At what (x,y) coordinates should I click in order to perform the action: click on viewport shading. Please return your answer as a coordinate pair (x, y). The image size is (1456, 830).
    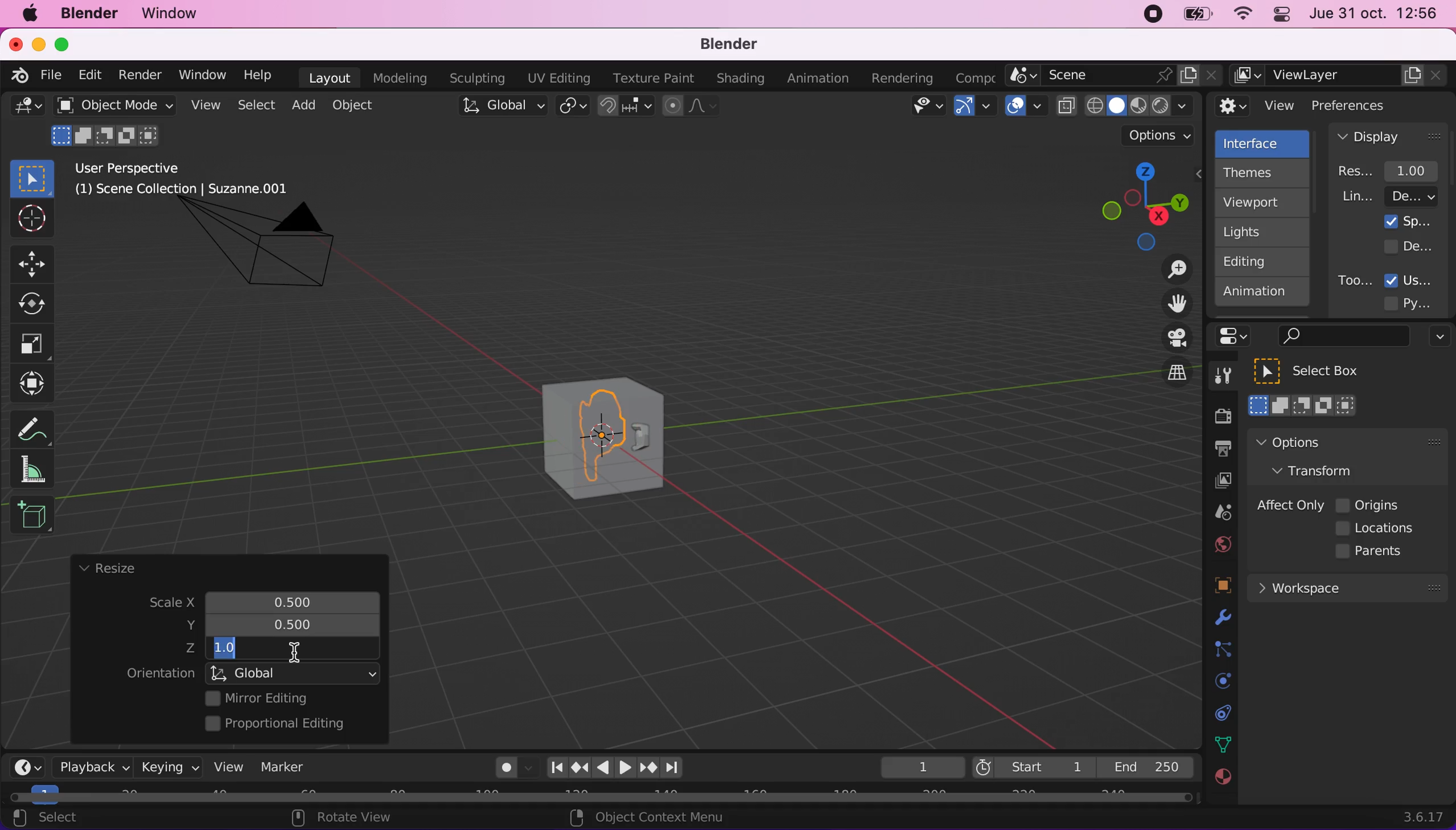
    Looking at the image, I should click on (1128, 105).